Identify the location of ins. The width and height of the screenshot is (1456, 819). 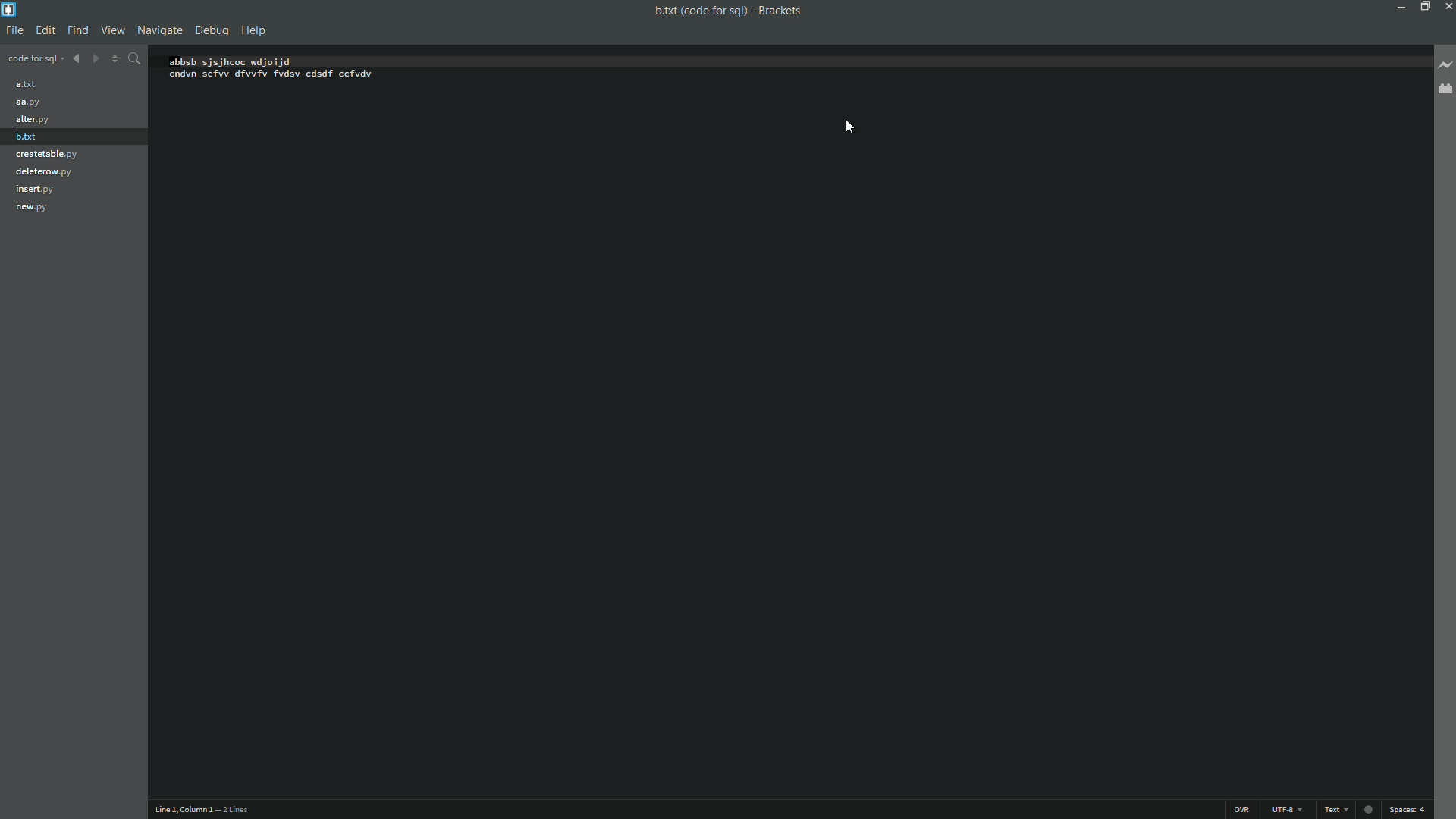
(1244, 809).